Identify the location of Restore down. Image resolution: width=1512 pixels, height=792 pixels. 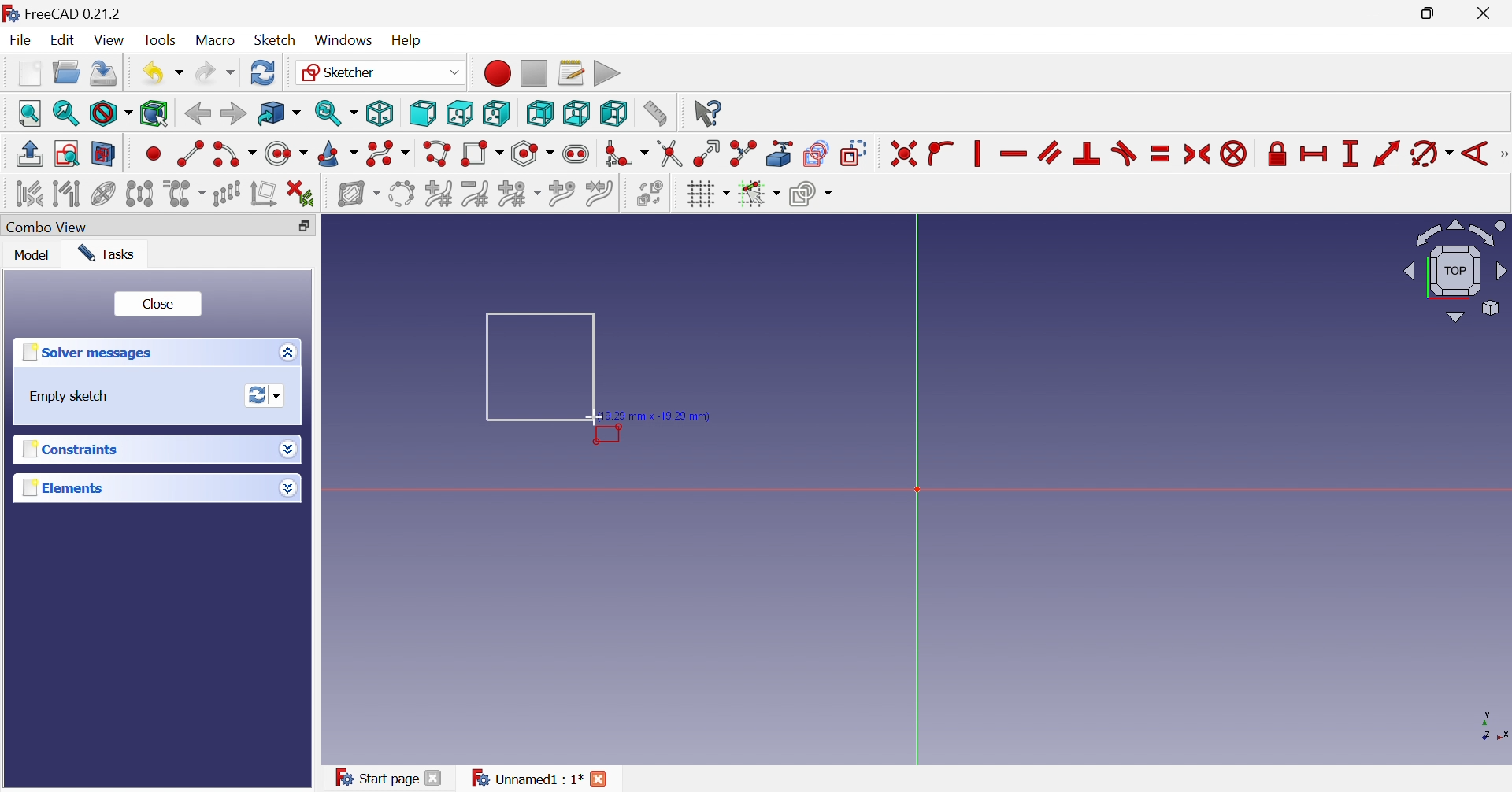
(304, 228).